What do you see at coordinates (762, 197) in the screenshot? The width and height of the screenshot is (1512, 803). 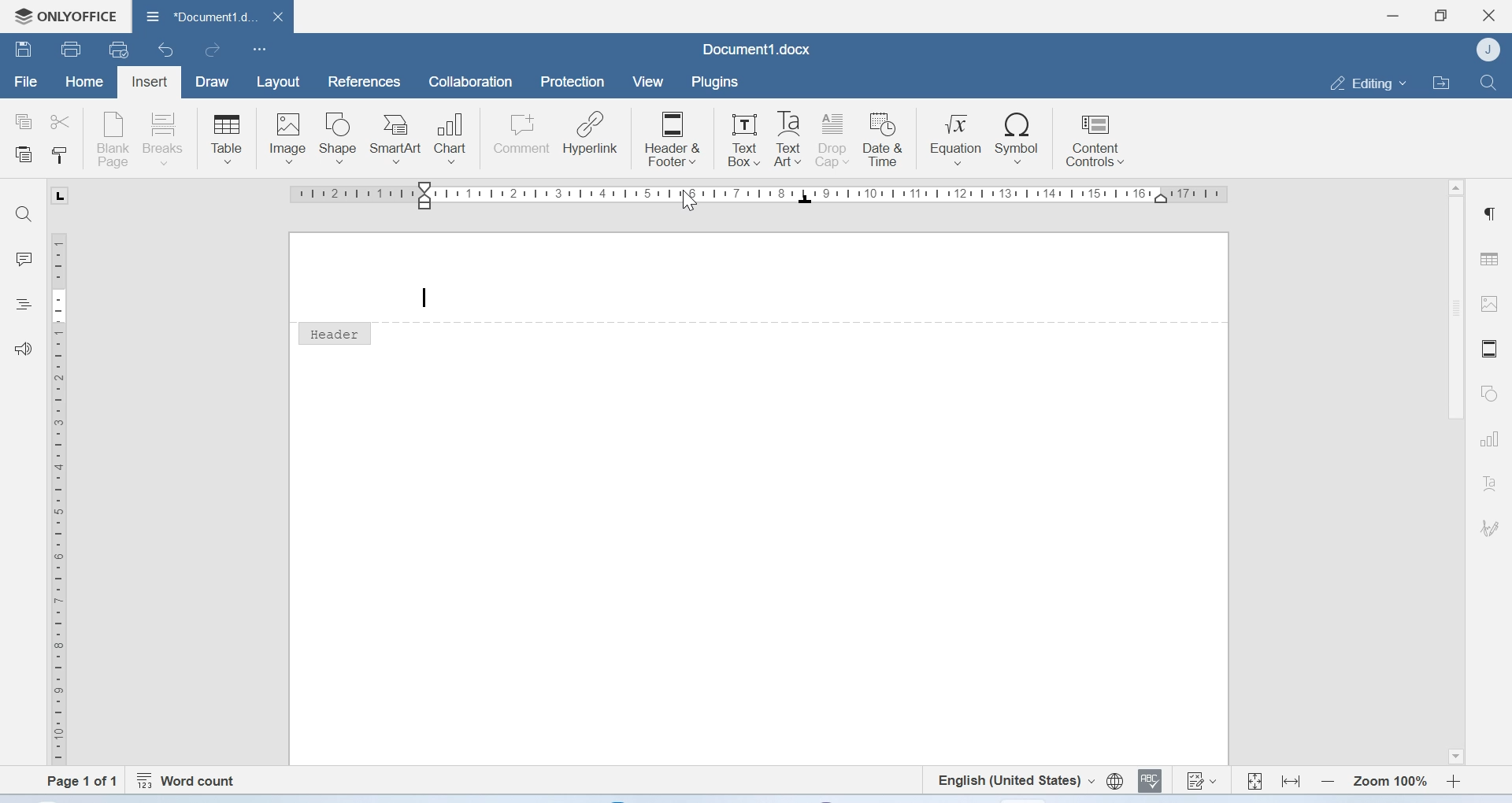 I see `Scale` at bounding box center [762, 197].